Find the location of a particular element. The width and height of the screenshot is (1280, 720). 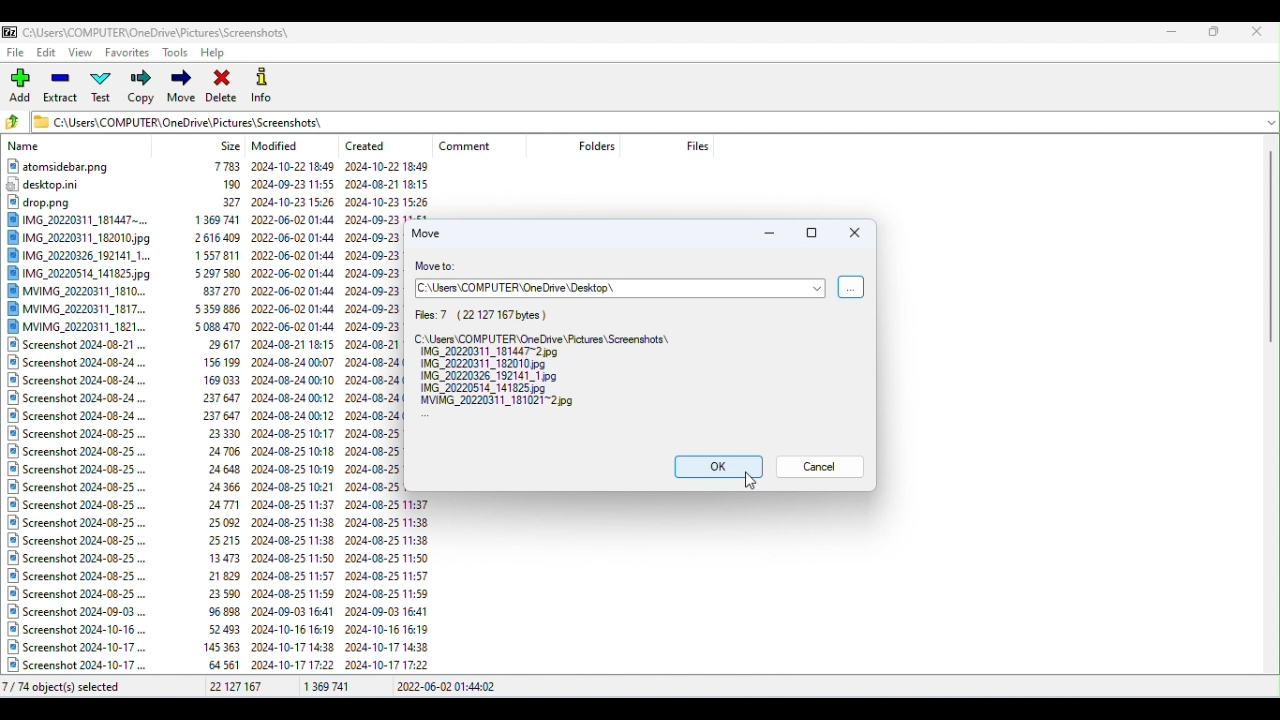

OK is located at coordinates (711, 466).